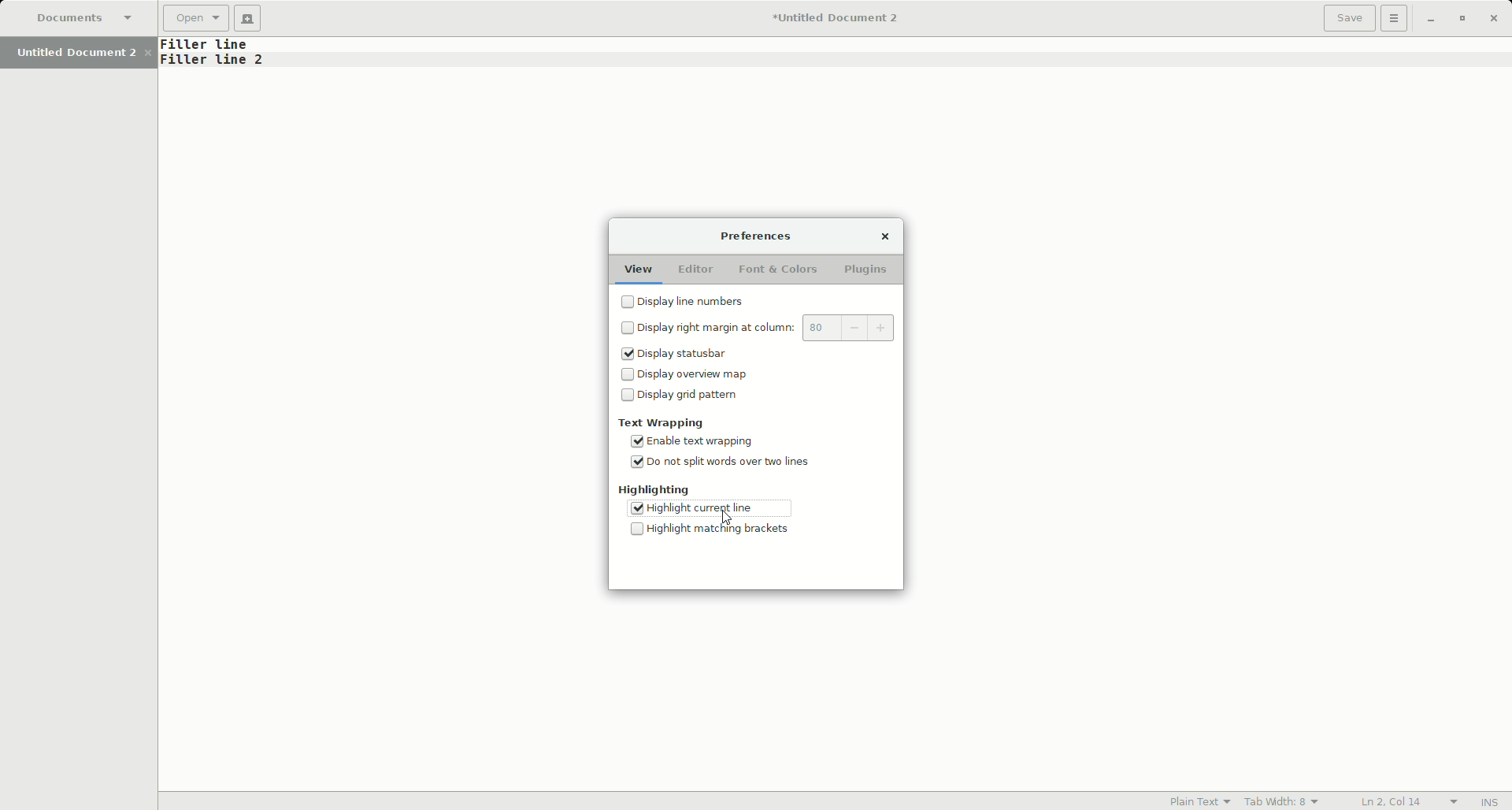 The height and width of the screenshot is (810, 1512). I want to click on Close, so click(884, 236).